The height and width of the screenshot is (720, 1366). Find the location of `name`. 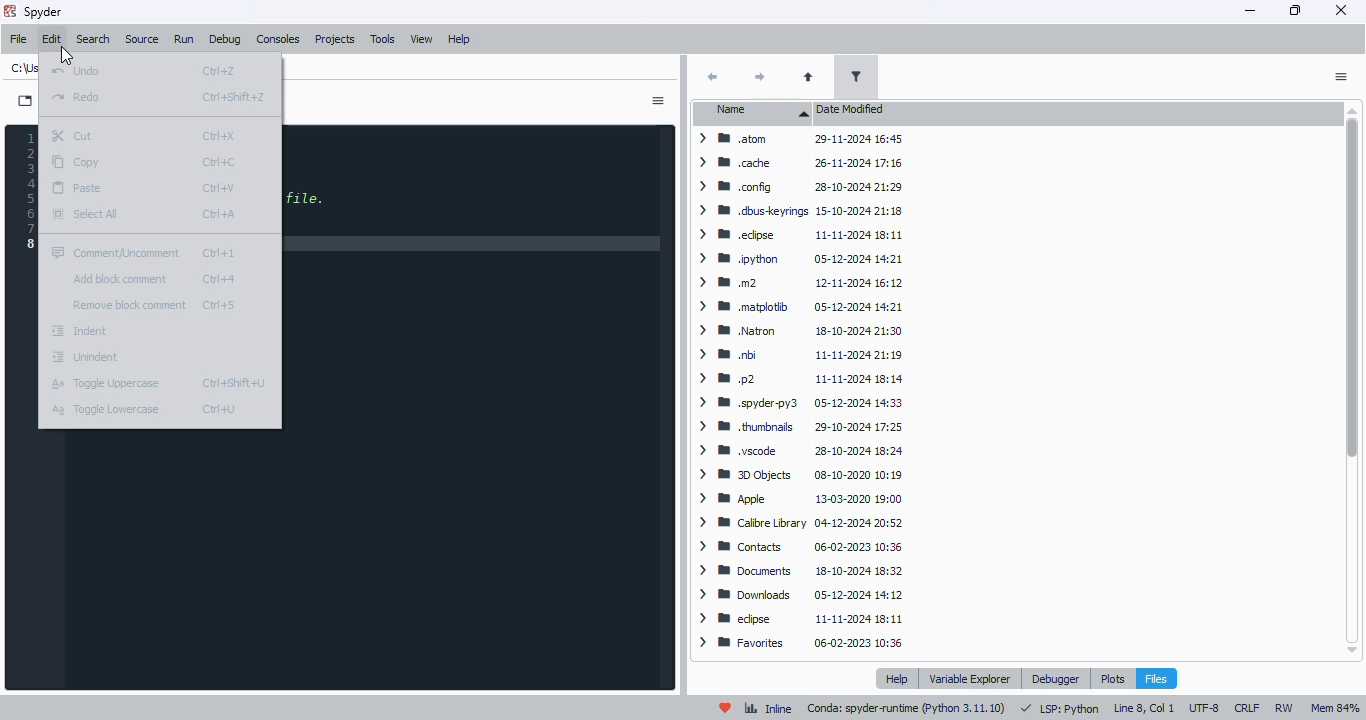

name is located at coordinates (757, 112).